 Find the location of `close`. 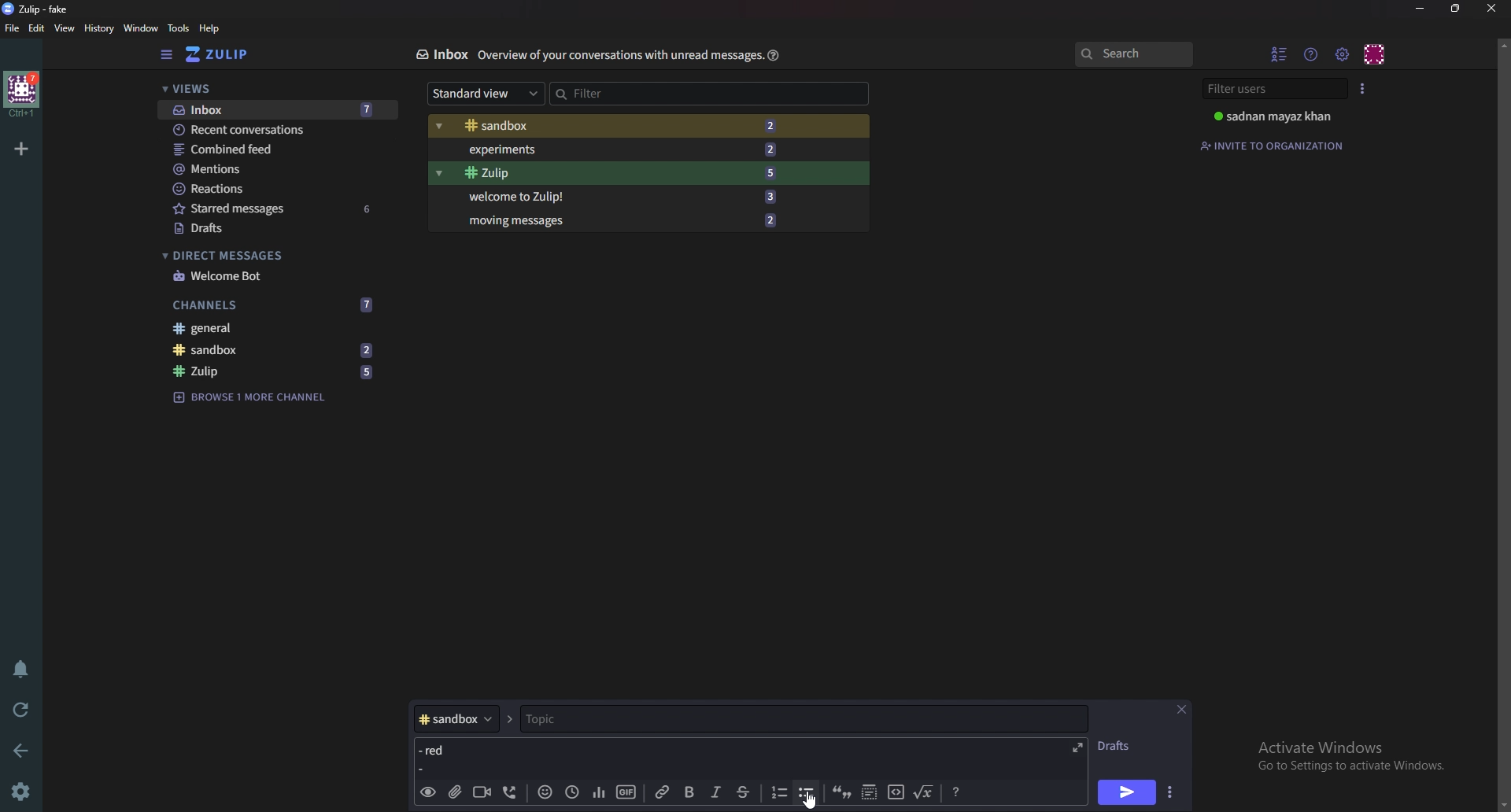

close is located at coordinates (1490, 8).